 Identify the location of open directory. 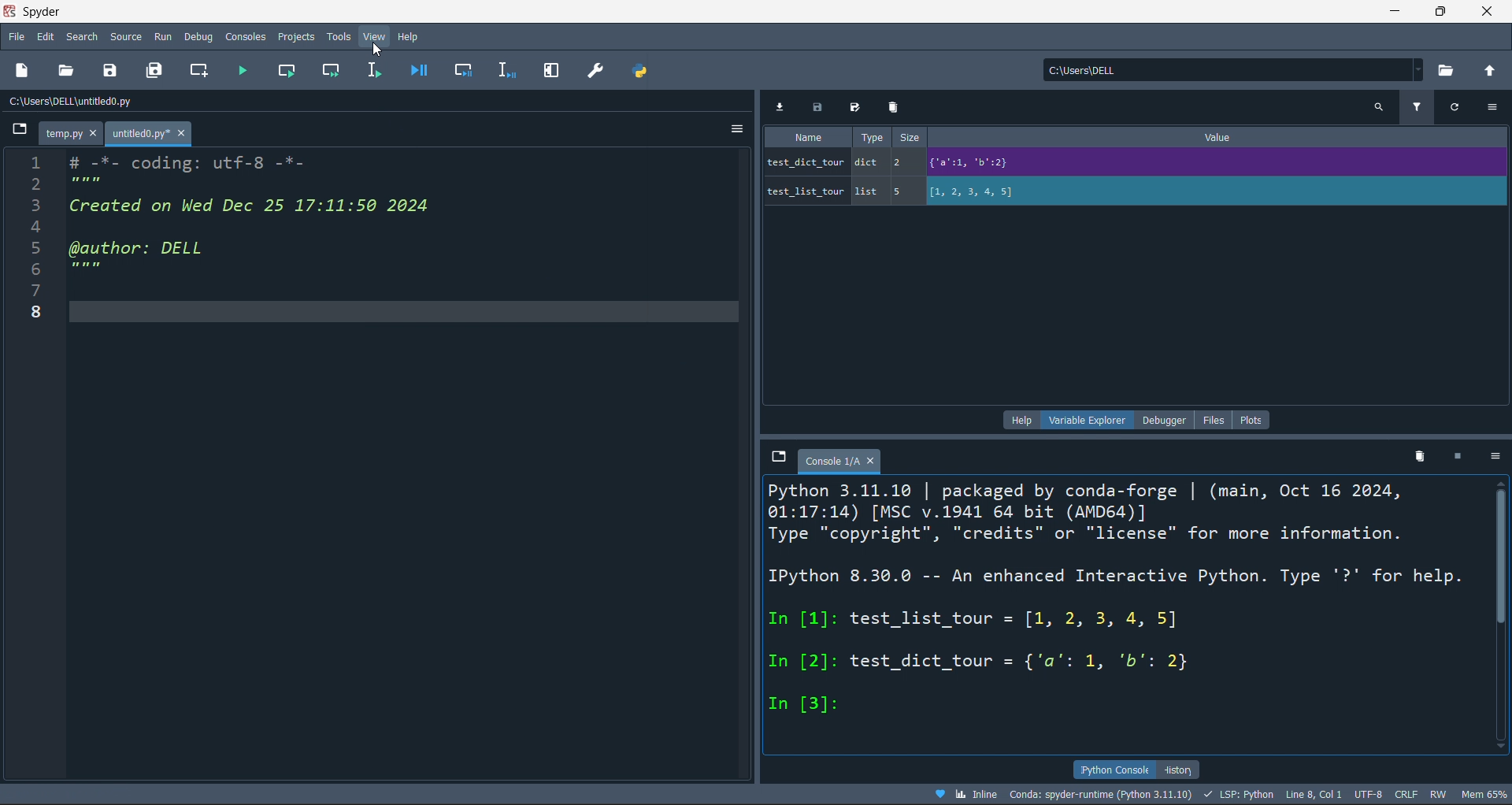
(1453, 69).